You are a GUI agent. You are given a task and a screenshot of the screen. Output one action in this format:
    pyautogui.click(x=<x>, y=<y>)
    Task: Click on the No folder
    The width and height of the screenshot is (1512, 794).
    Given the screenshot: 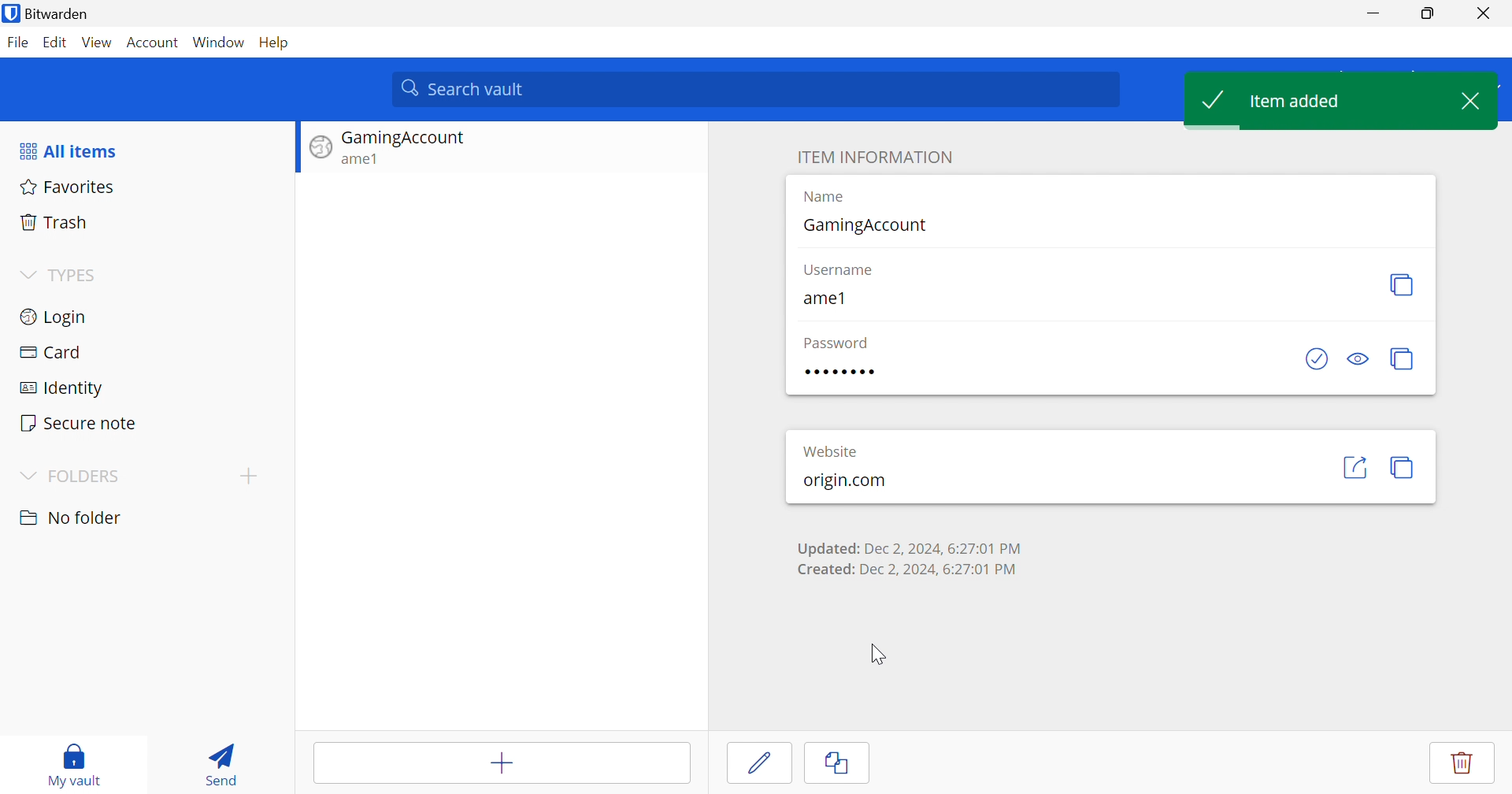 What is the action you would take?
    pyautogui.click(x=73, y=518)
    